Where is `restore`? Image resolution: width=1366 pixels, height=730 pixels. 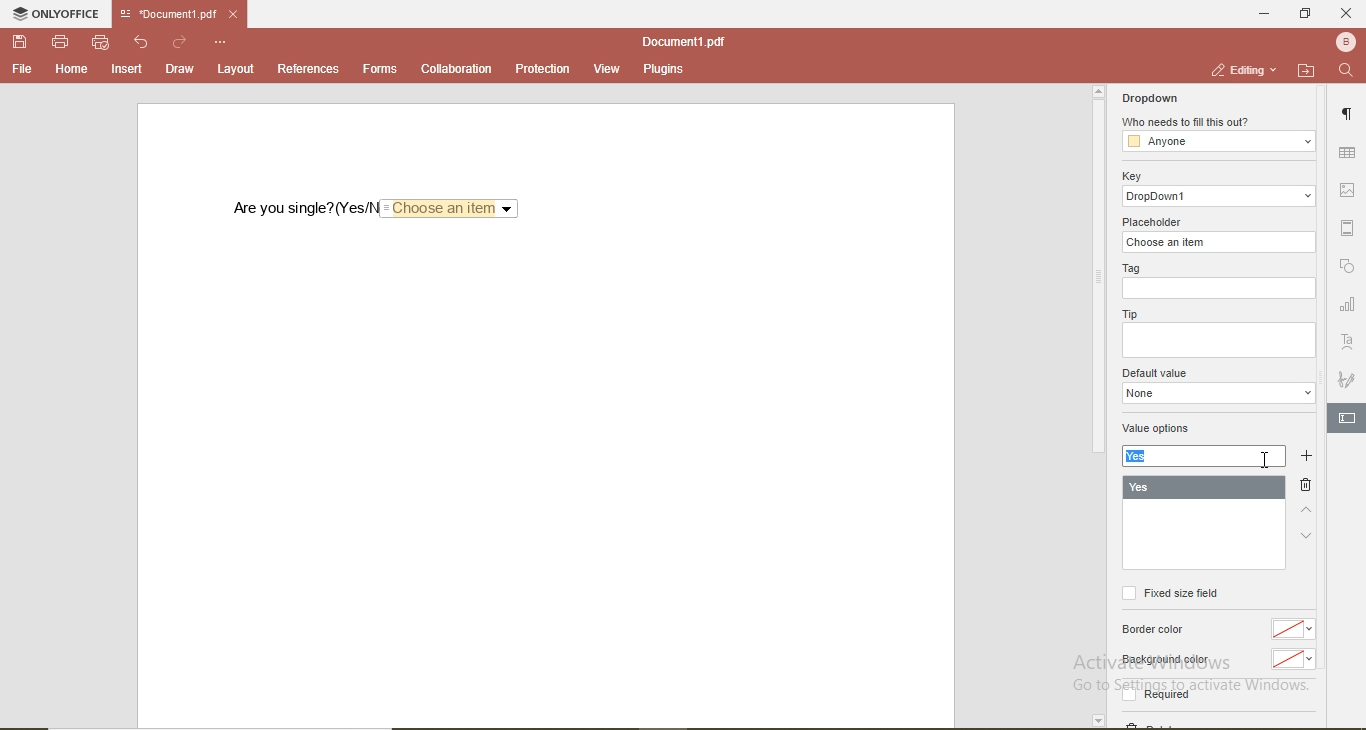 restore is located at coordinates (1308, 16).